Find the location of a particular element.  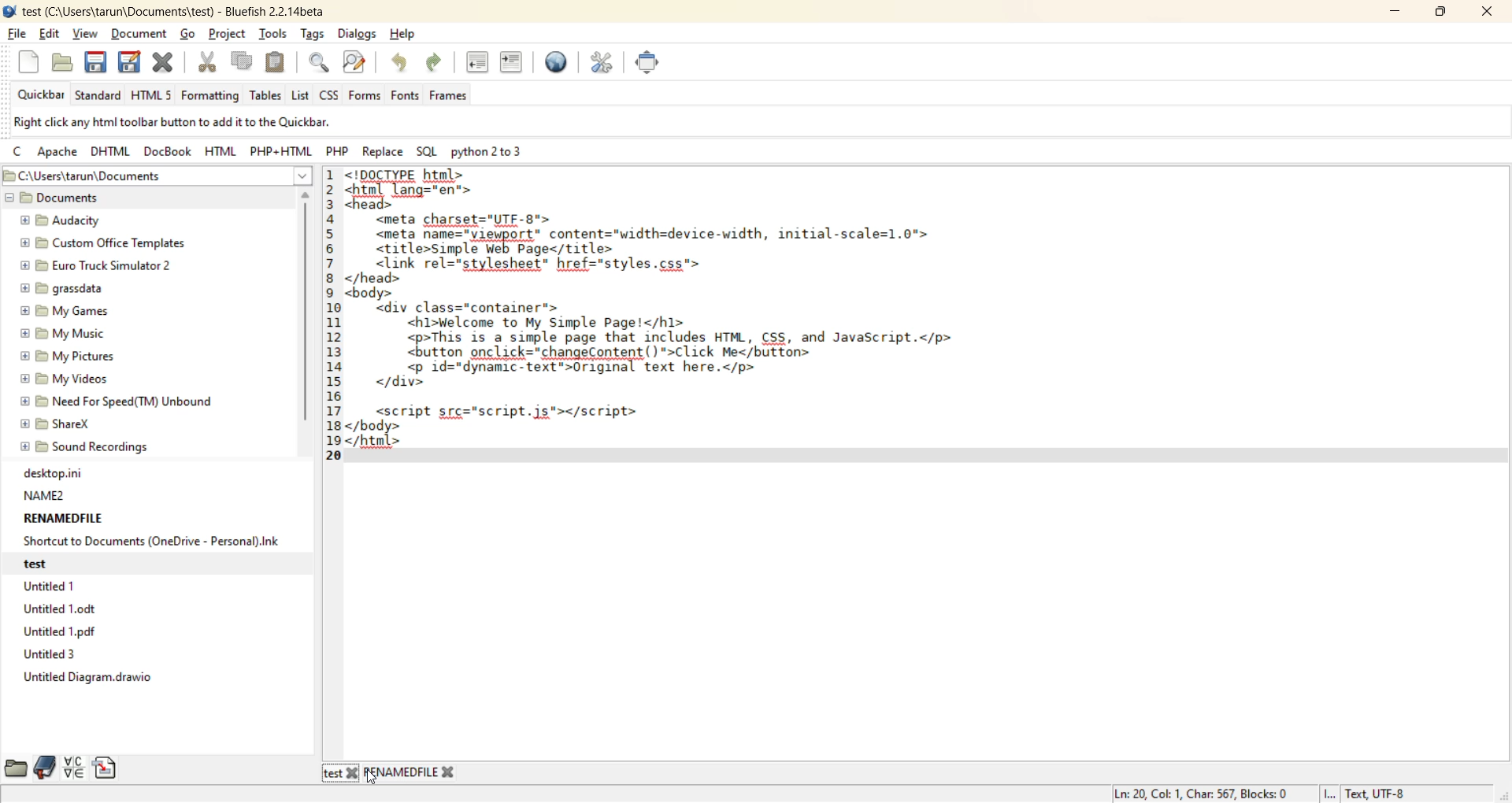

code editor is located at coordinates (683, 316).